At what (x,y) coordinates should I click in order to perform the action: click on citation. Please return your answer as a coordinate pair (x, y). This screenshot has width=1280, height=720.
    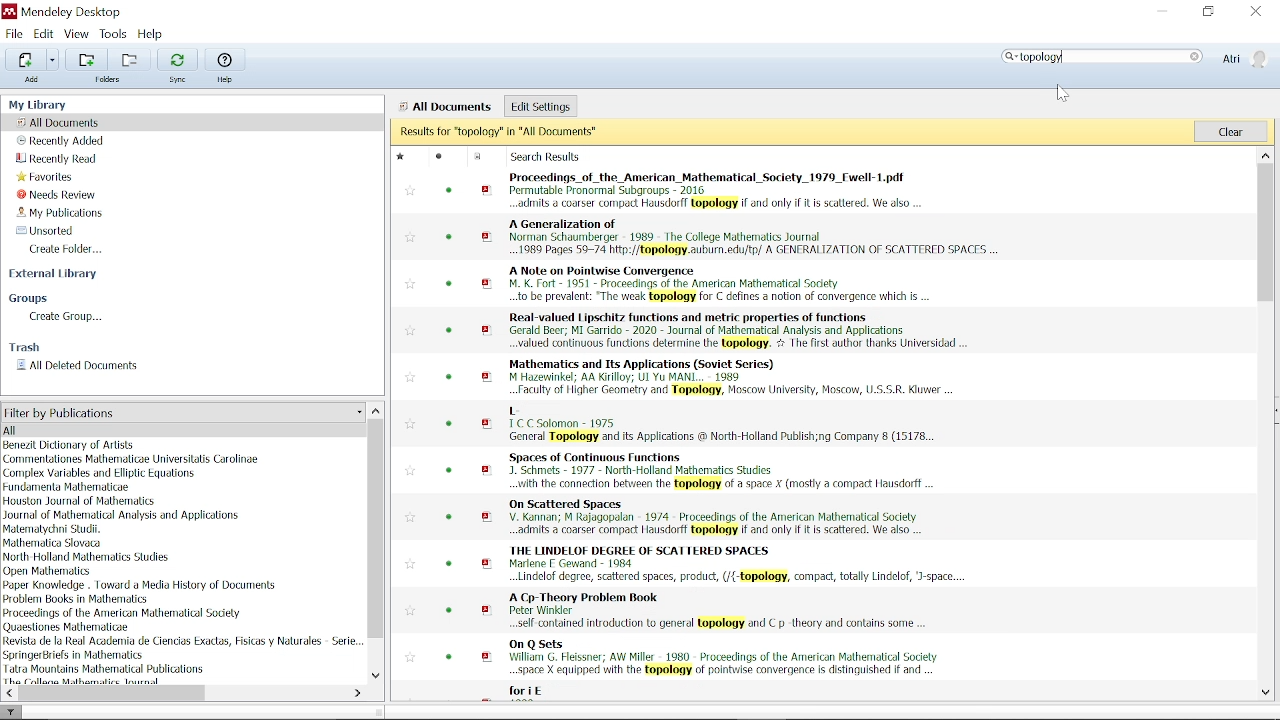
    Looking at the image, I should click on (721, 190).